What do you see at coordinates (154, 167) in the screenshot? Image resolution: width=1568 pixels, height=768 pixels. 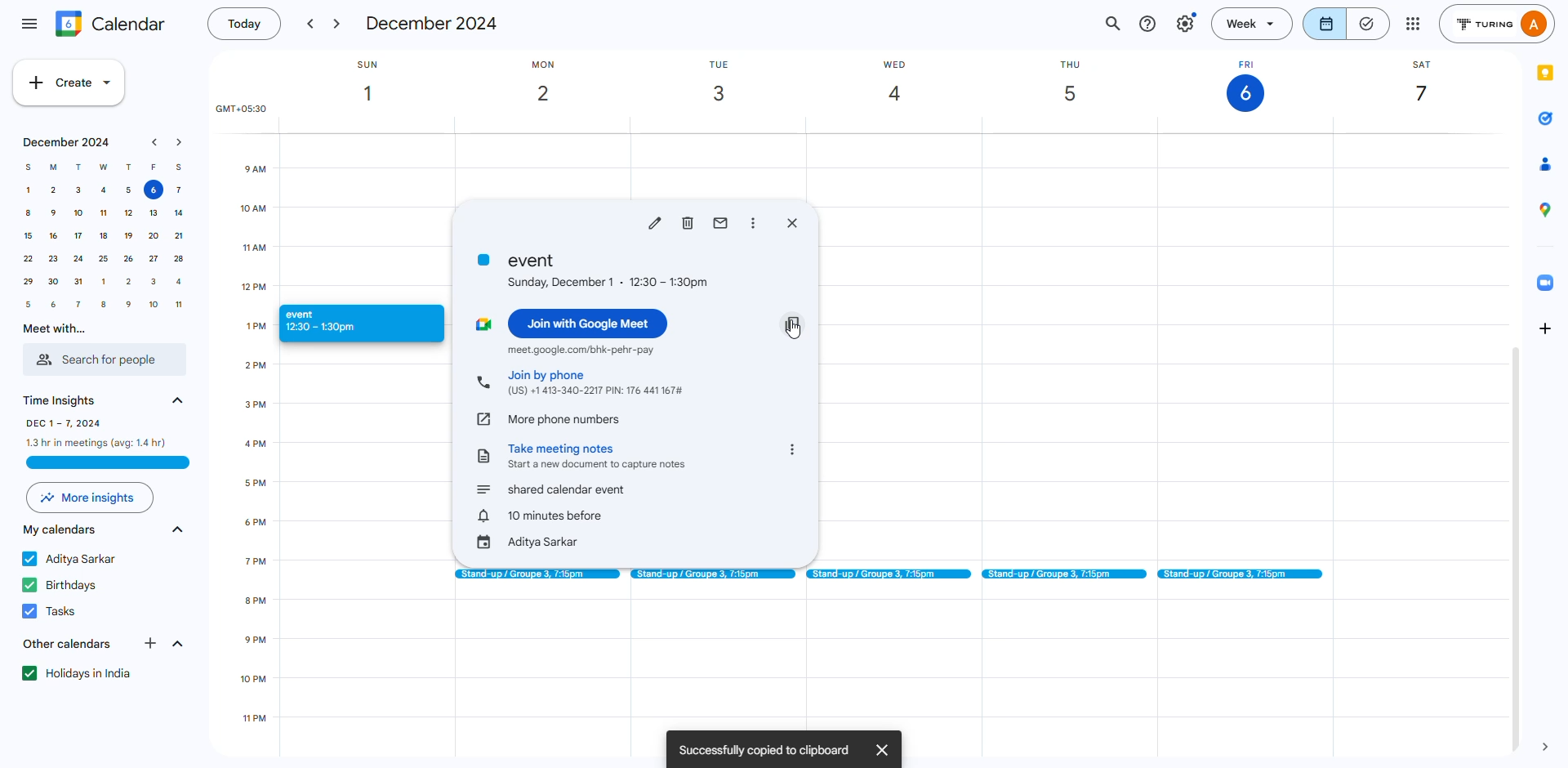 I see `F` at bounding box center [154, 167].